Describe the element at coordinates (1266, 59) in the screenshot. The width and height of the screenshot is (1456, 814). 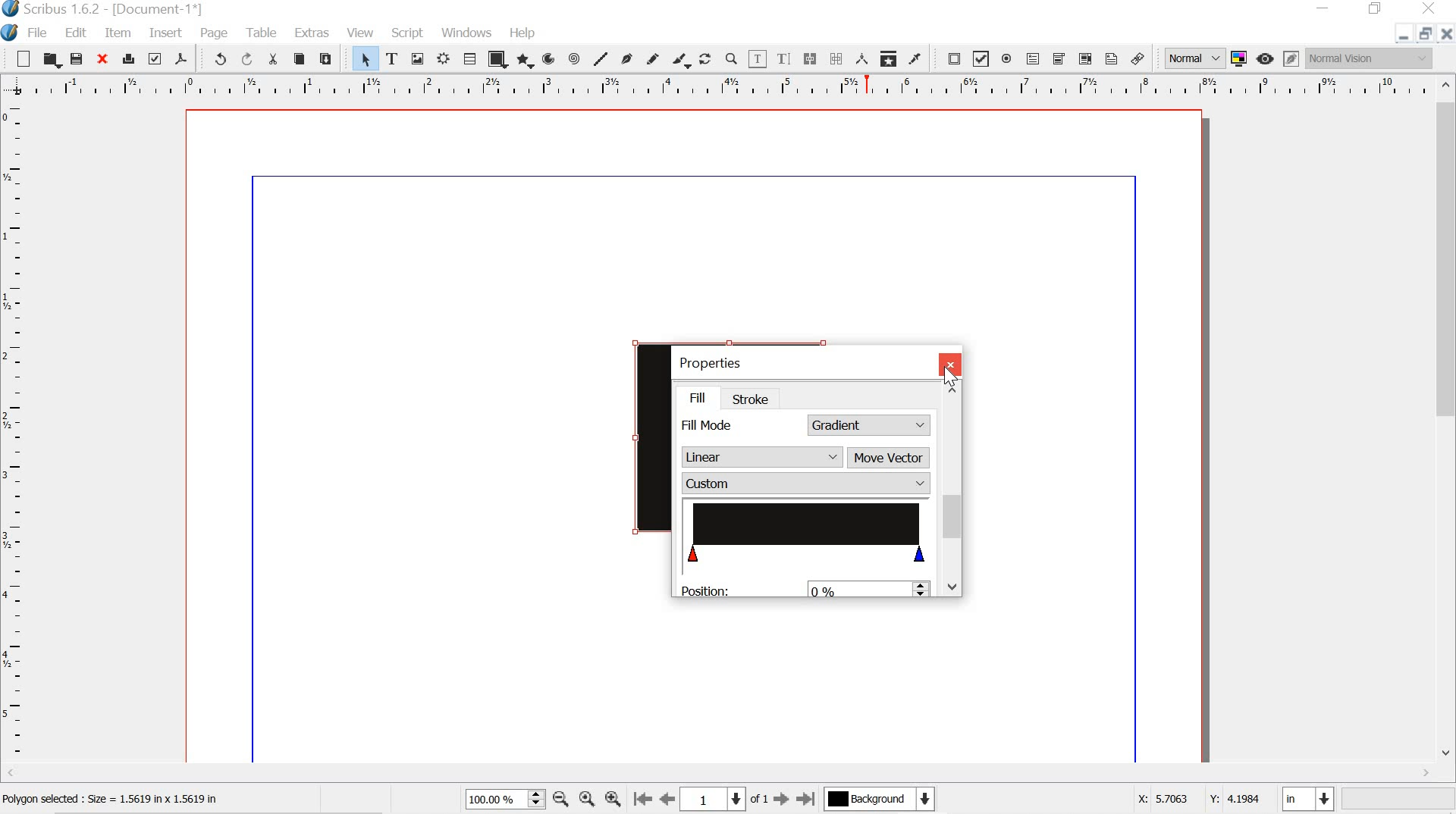
I see `preview mode` at that location.